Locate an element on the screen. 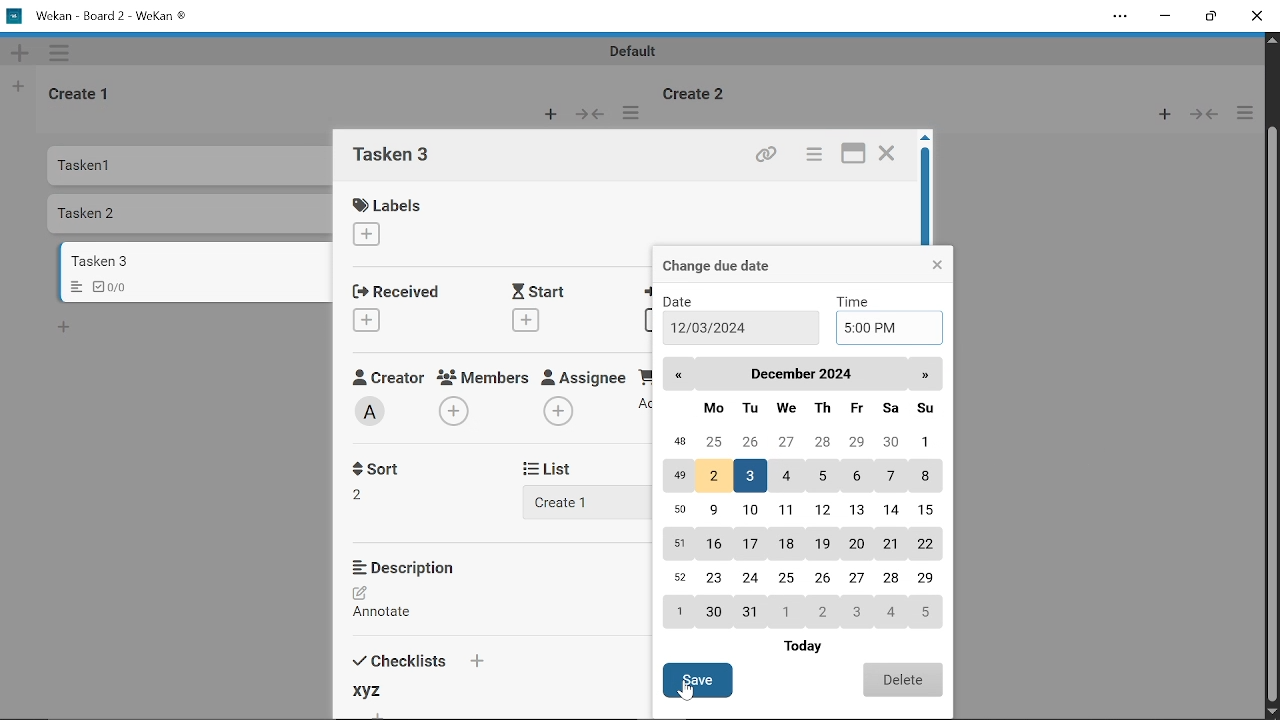  New is located at coordinates (19, 52).